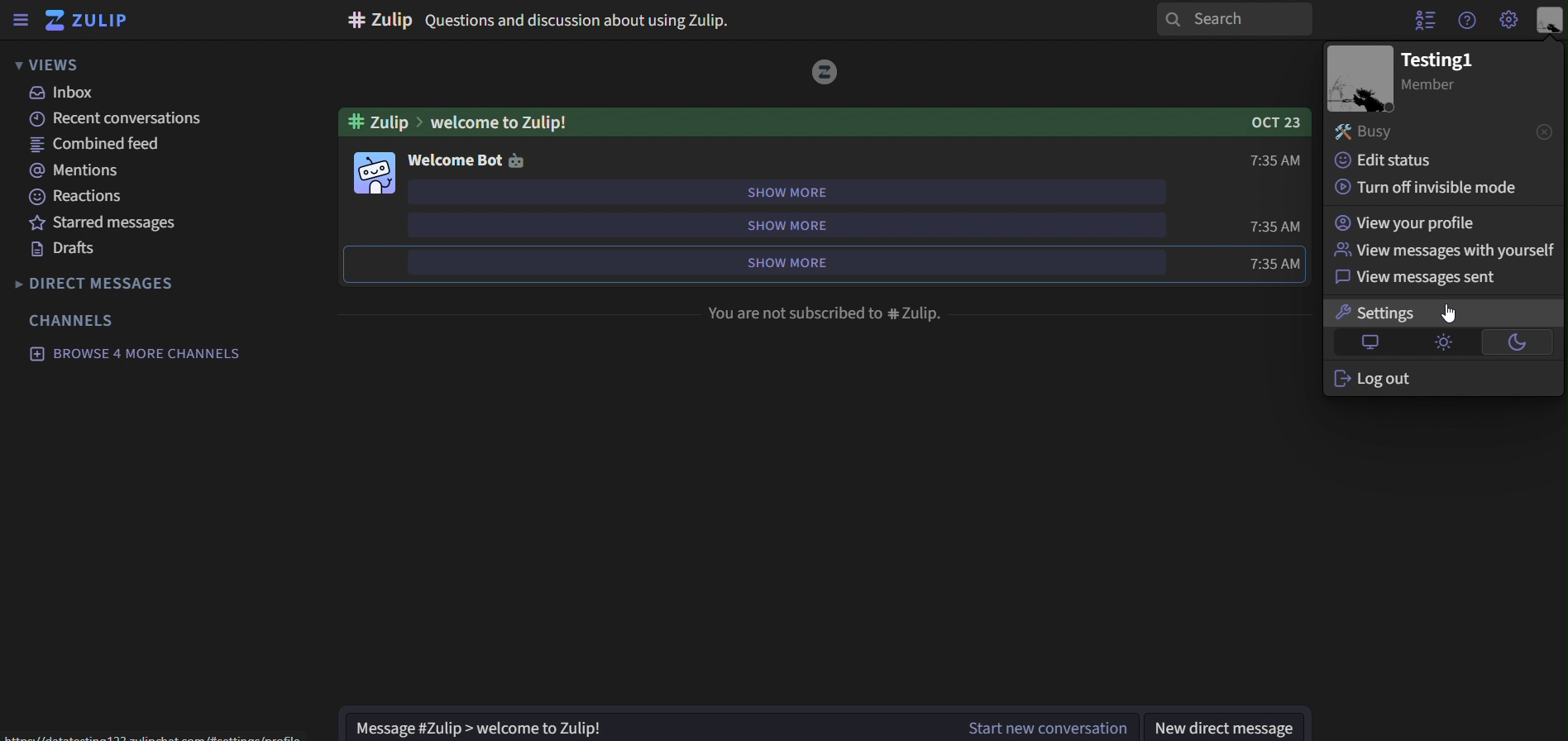 The width and height of the screenshot is (1568, 741). I want to click on direct messages, so click(117, 283).